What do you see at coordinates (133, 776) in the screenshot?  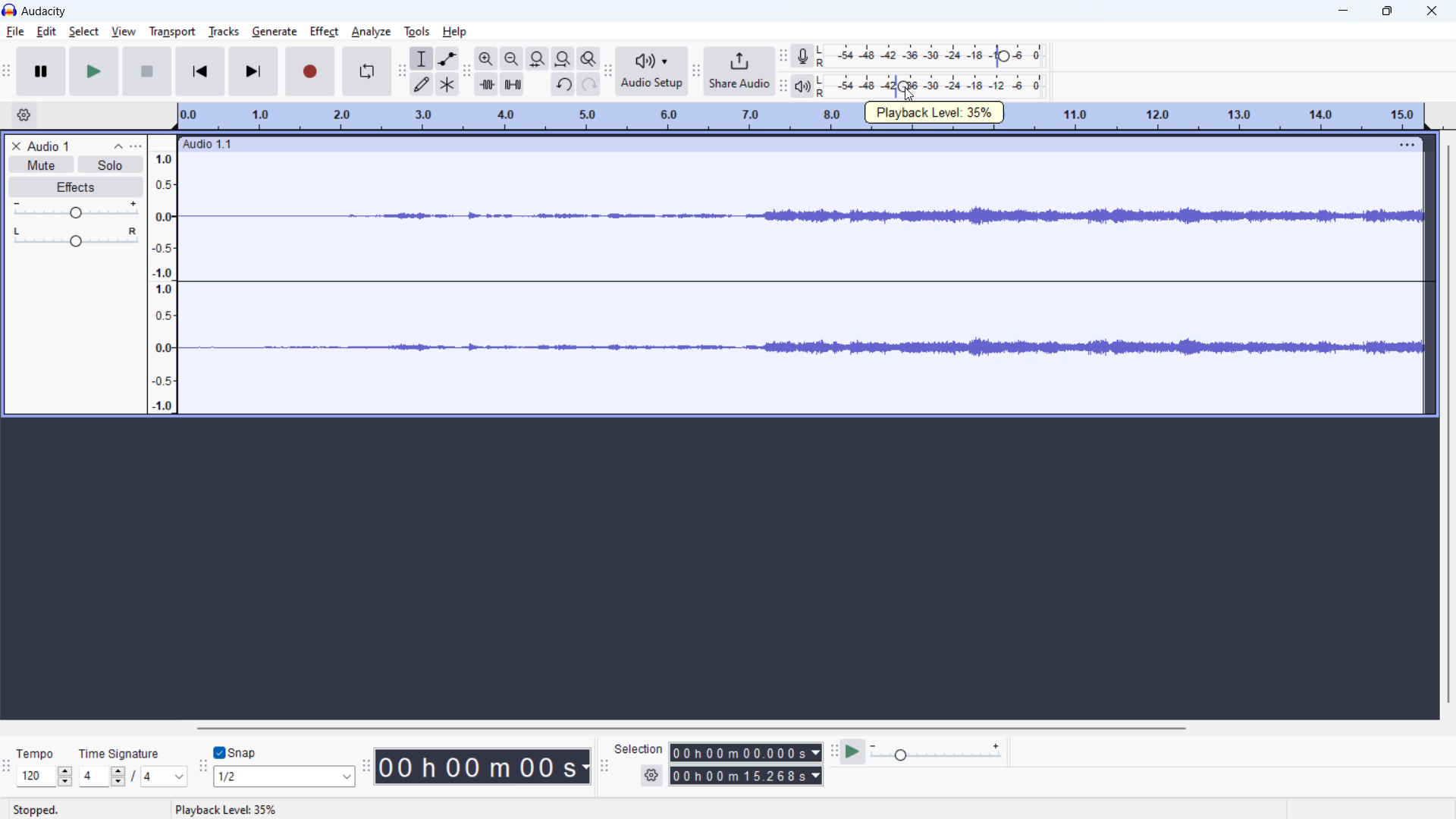 I see `time signature` at bounding box center [133, 776].